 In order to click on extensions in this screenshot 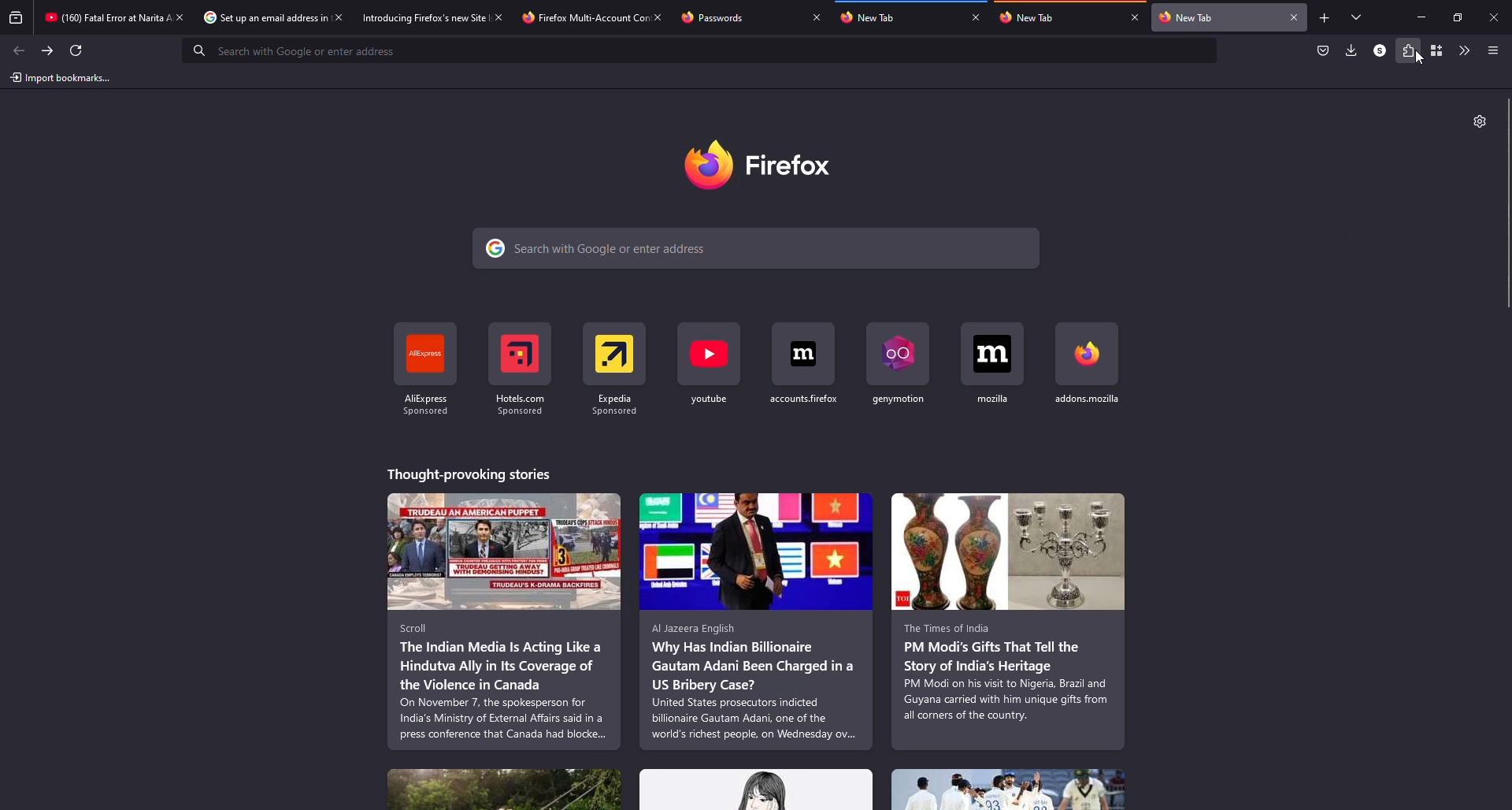, I will do `click(1406, 50)`.